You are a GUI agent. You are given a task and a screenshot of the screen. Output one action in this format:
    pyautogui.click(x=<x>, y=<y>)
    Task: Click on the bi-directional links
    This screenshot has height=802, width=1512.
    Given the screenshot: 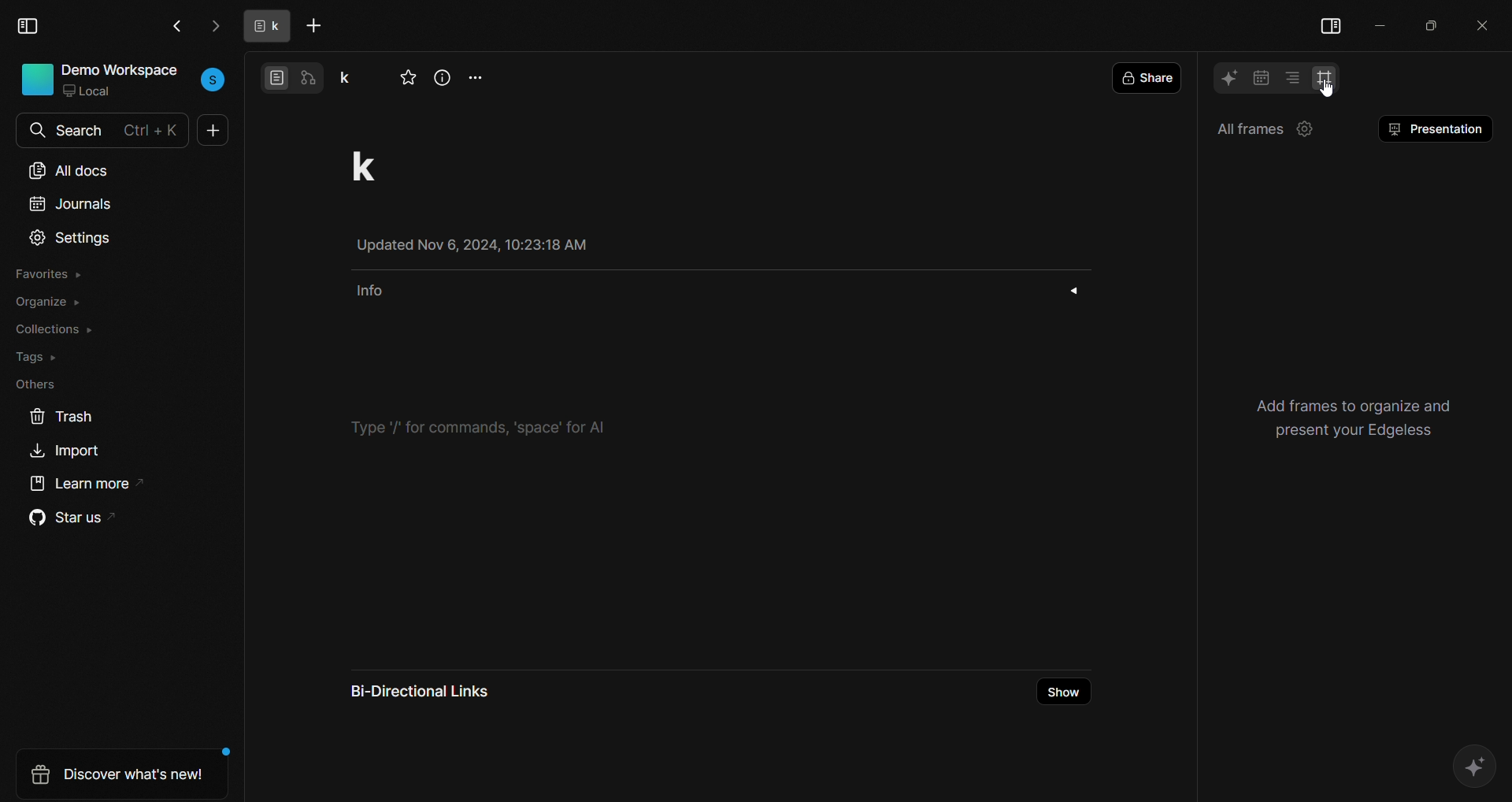 What is the action you would take?
    pyautogui.click(x=434, y=689)
    